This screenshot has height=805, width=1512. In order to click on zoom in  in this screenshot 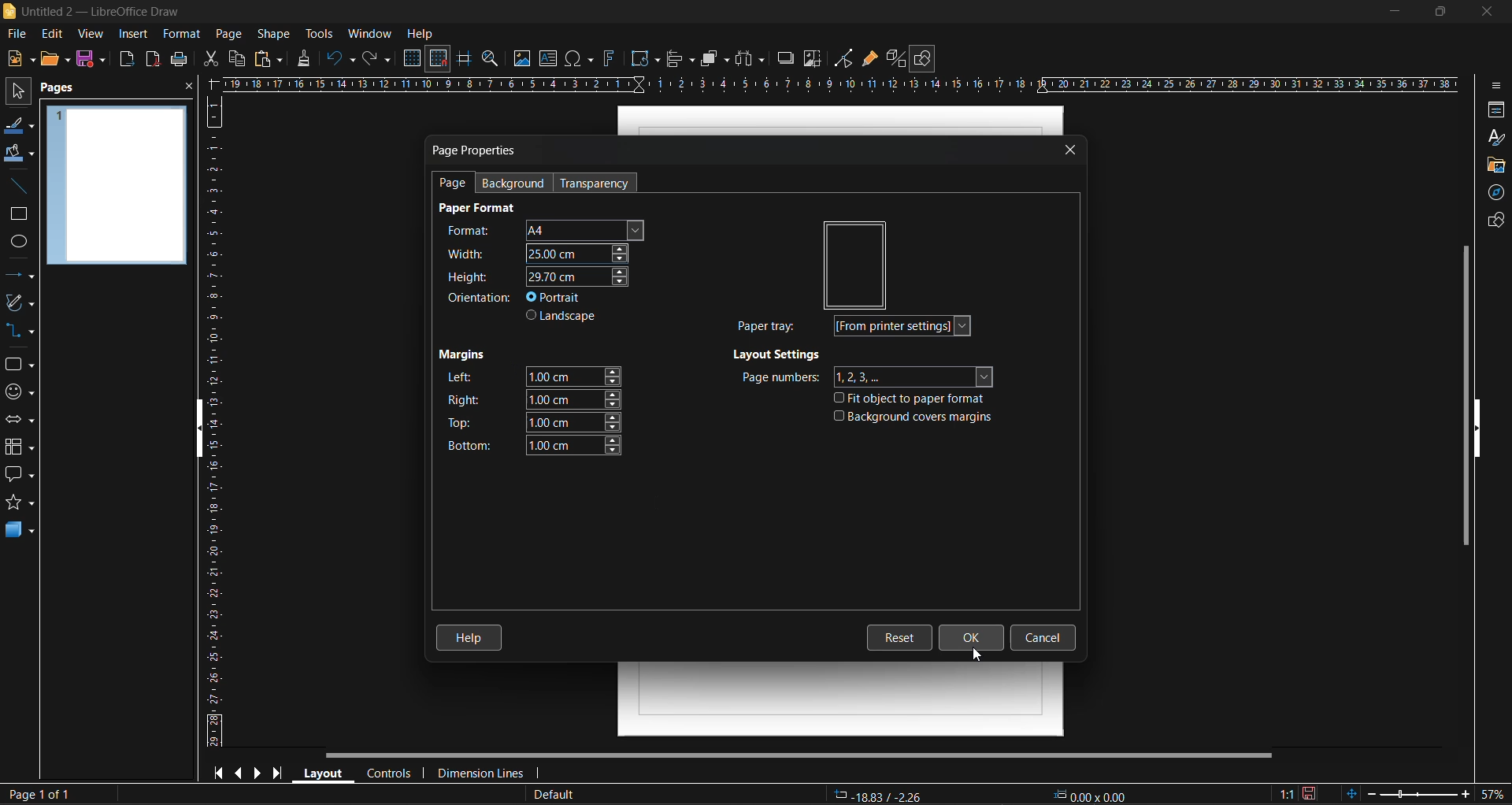, I will do `click(1459, 796)`.